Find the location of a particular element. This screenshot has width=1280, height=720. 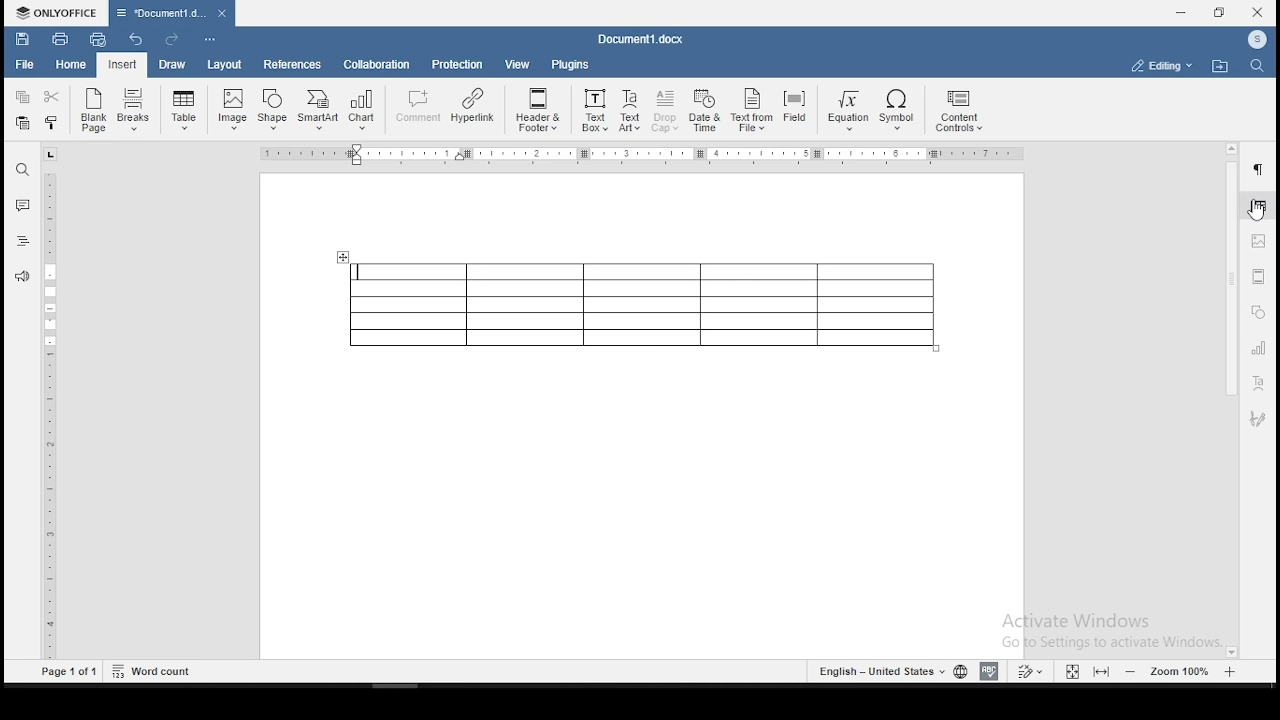

blank page is located at coordinates (91, 112).